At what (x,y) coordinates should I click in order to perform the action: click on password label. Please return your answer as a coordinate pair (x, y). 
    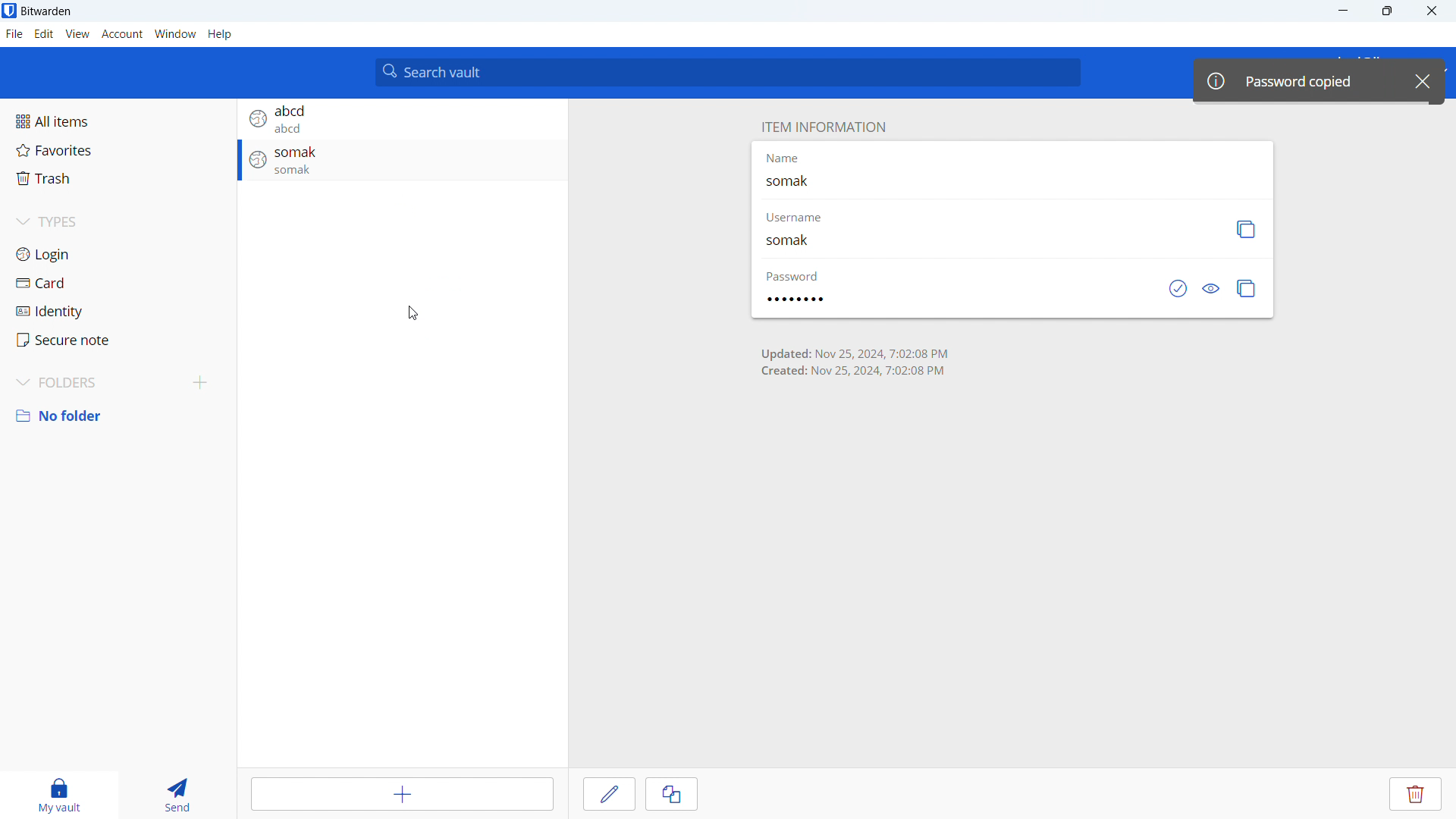
    Looking at the image, I should click on (792, 276).